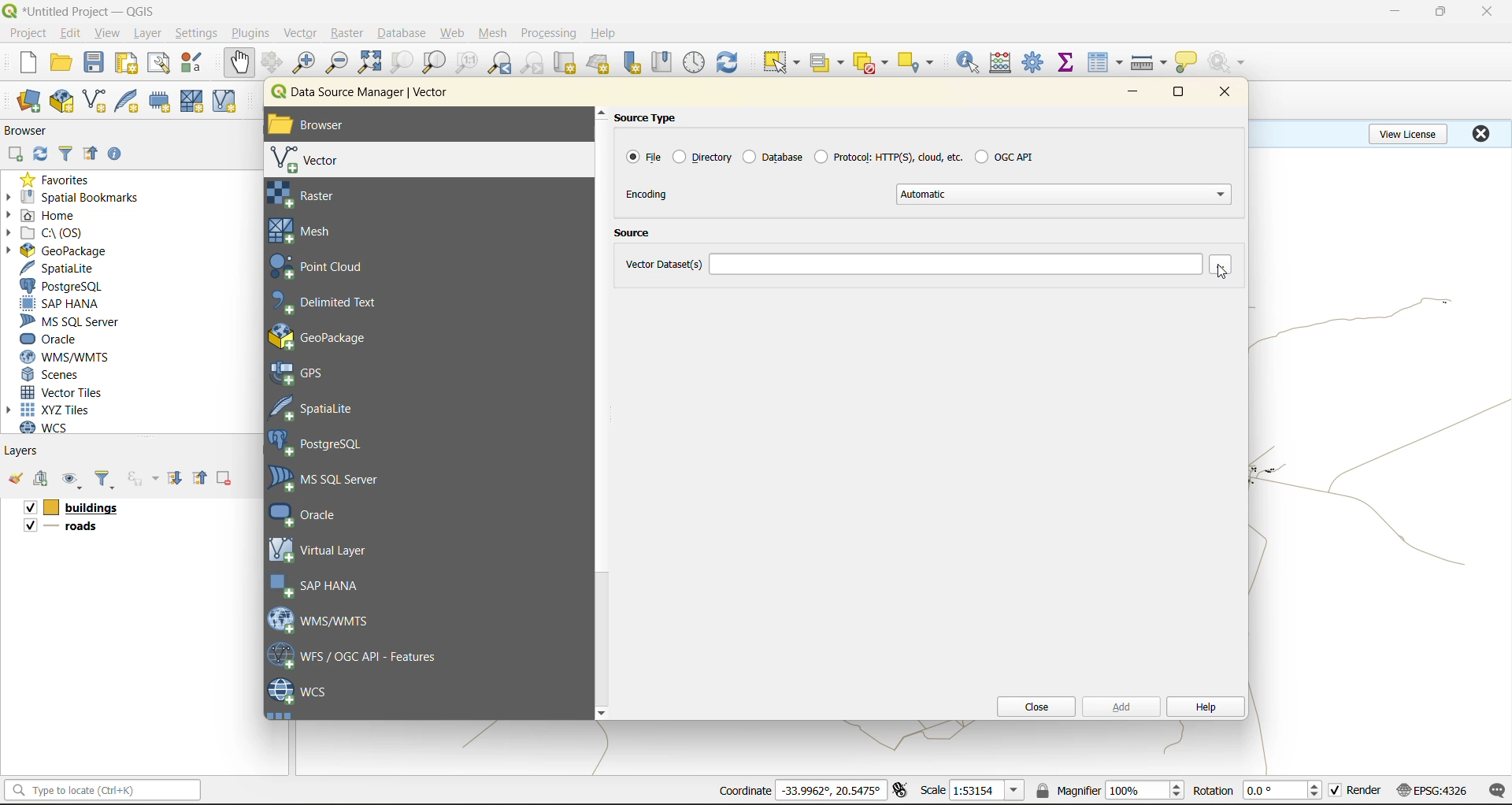 Image resolution: width=1512 pixels, height=805 pixels. I want to click on wms/wmts, so click(327, 619).